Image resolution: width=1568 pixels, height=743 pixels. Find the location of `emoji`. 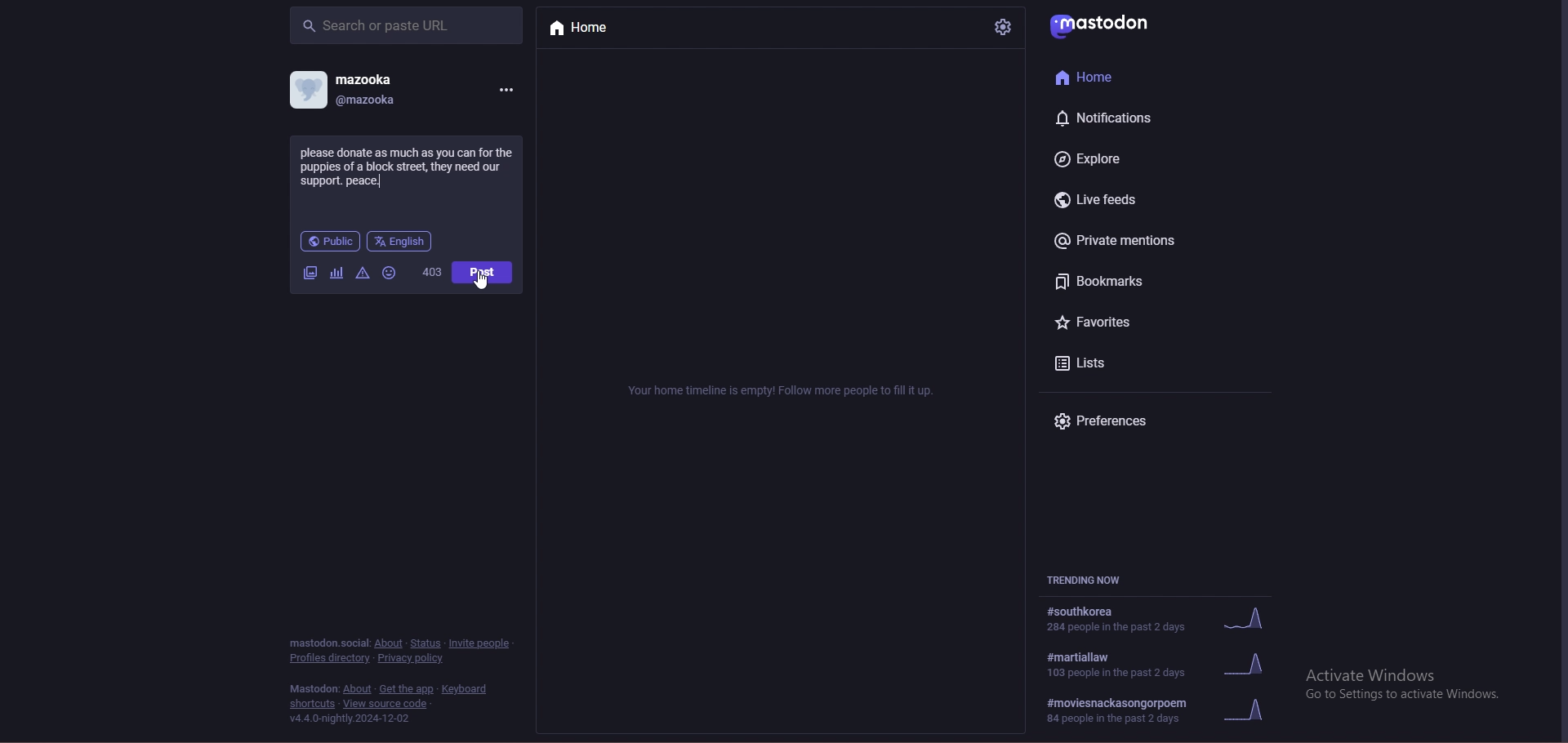

emoji is located at coordinates (393, 271).